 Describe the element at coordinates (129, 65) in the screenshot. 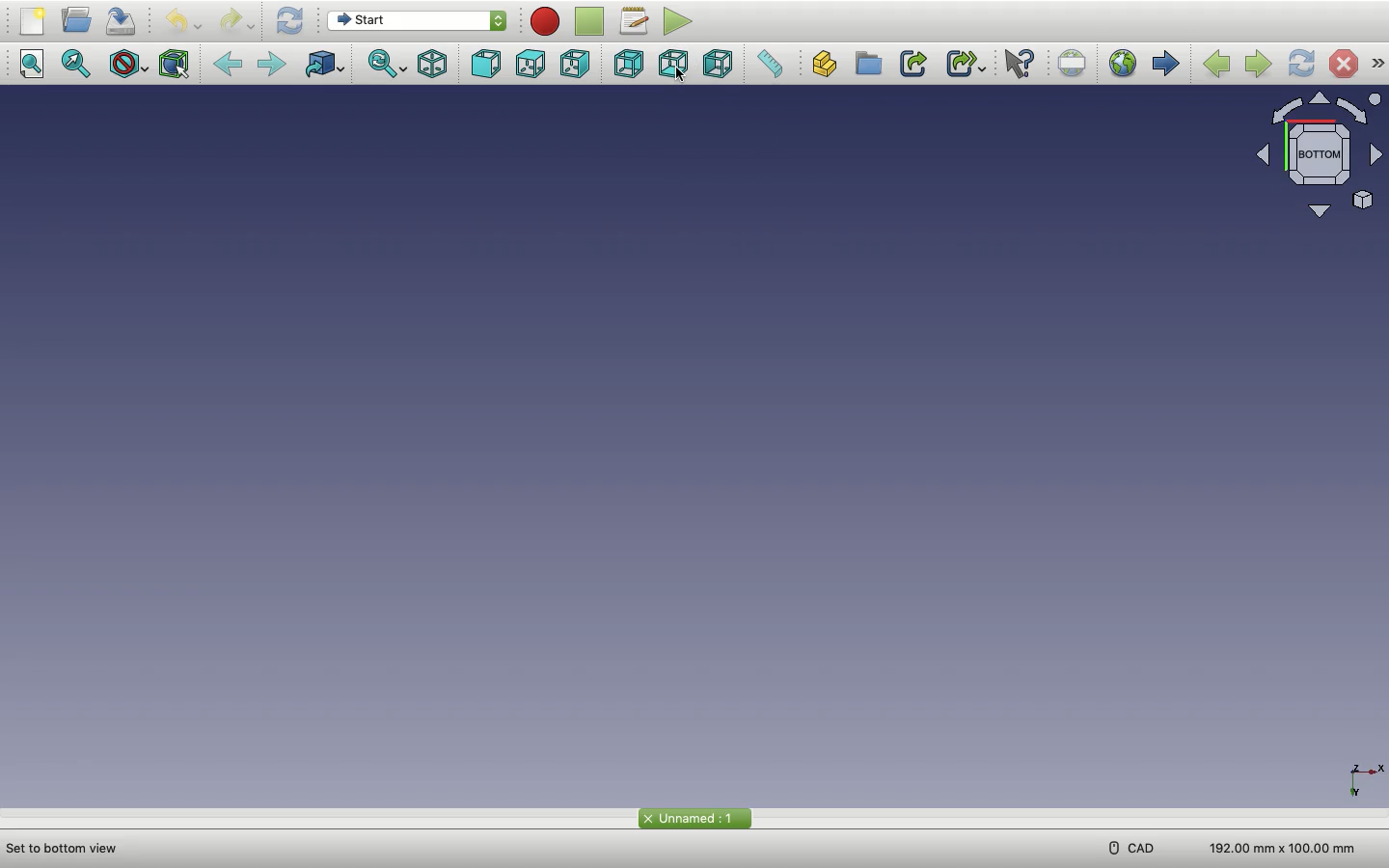

I see `Draw style` at that location.